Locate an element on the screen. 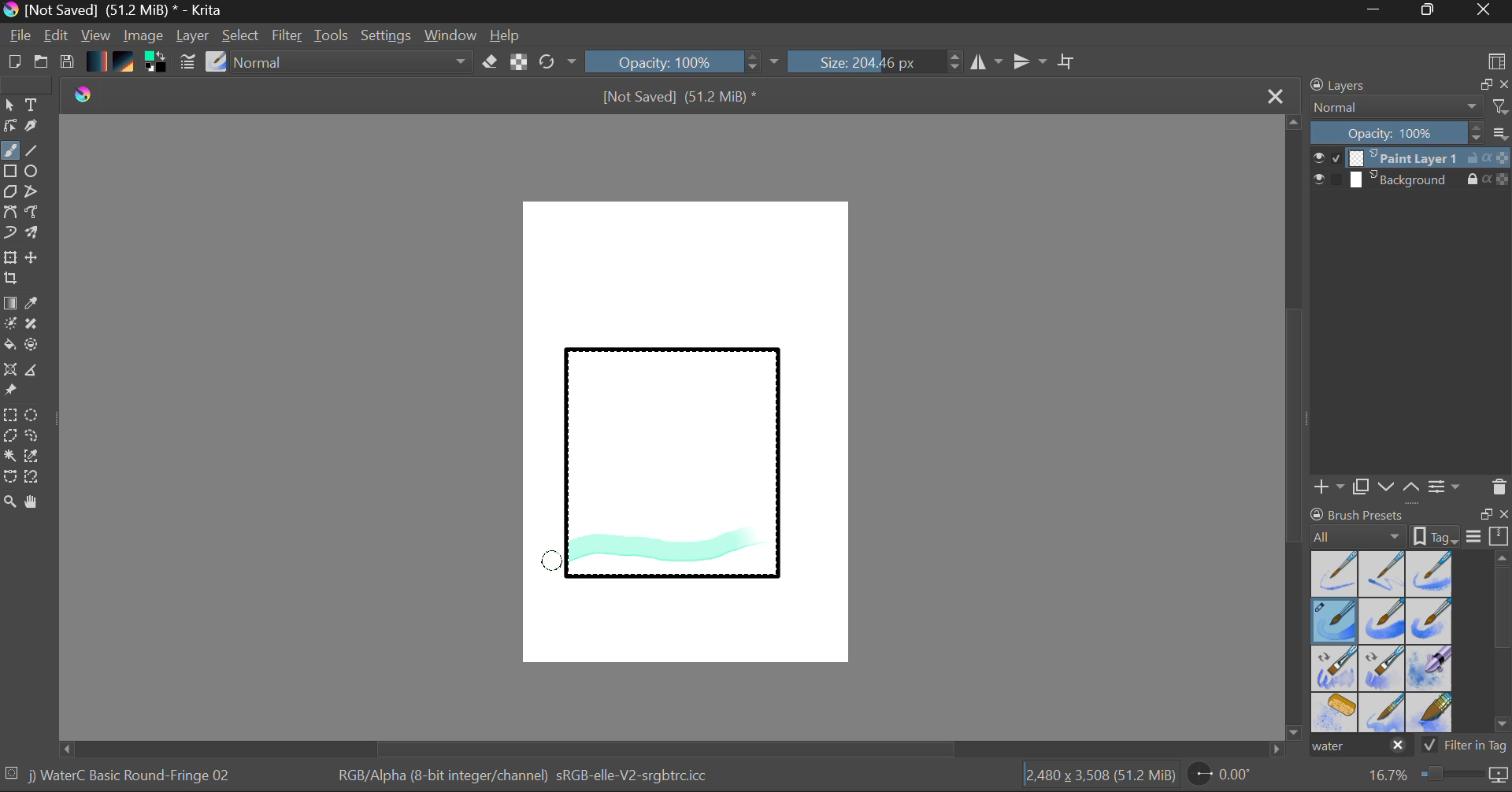 This screenshot has width=1512, height=792. Line is located at coordinates (32, 151).